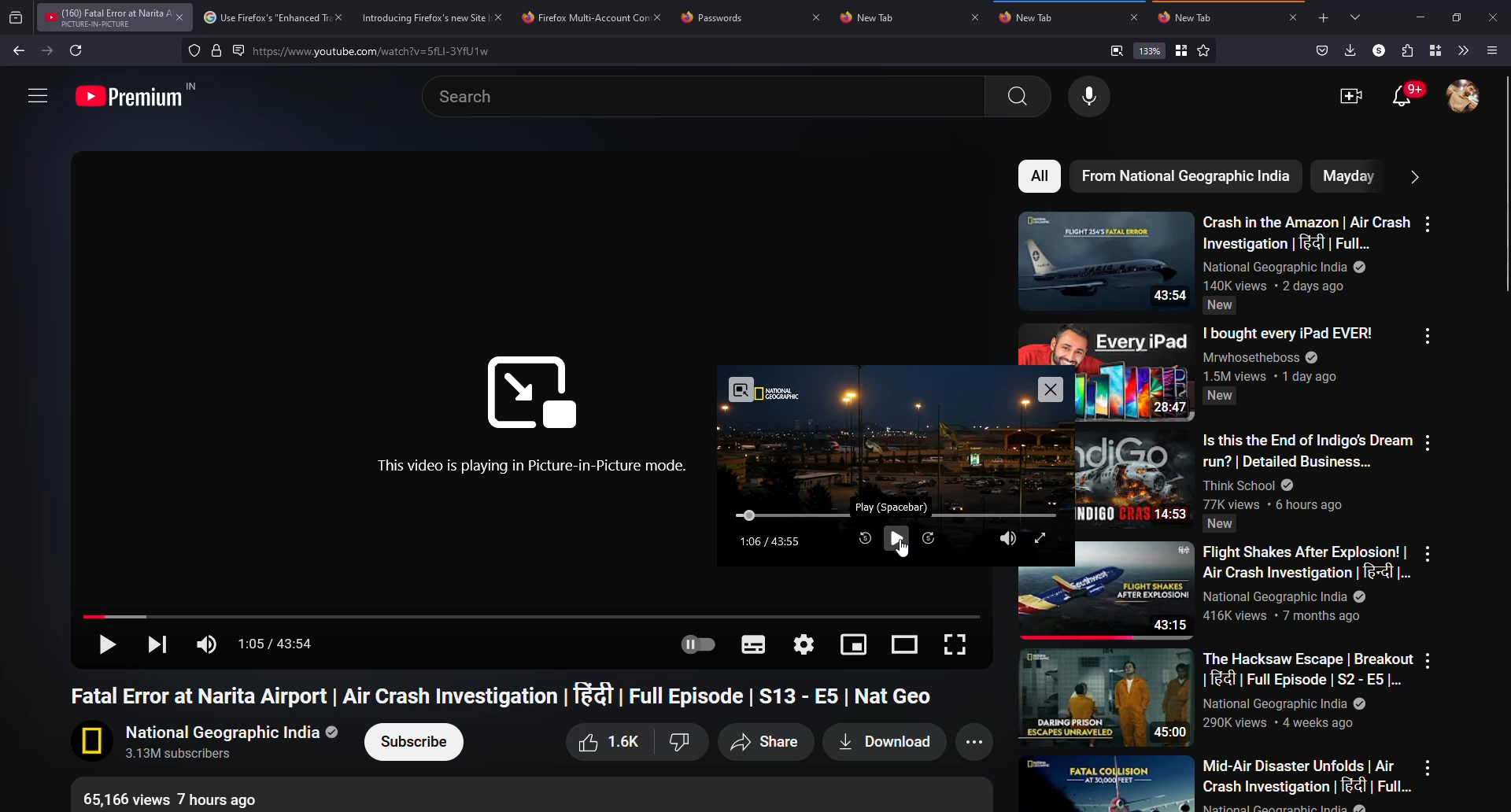 The height and width of the screenshot is (812, 1511). Describe the element at coordinates (154, 643) in the screenshot. I see `Next video` at that location.